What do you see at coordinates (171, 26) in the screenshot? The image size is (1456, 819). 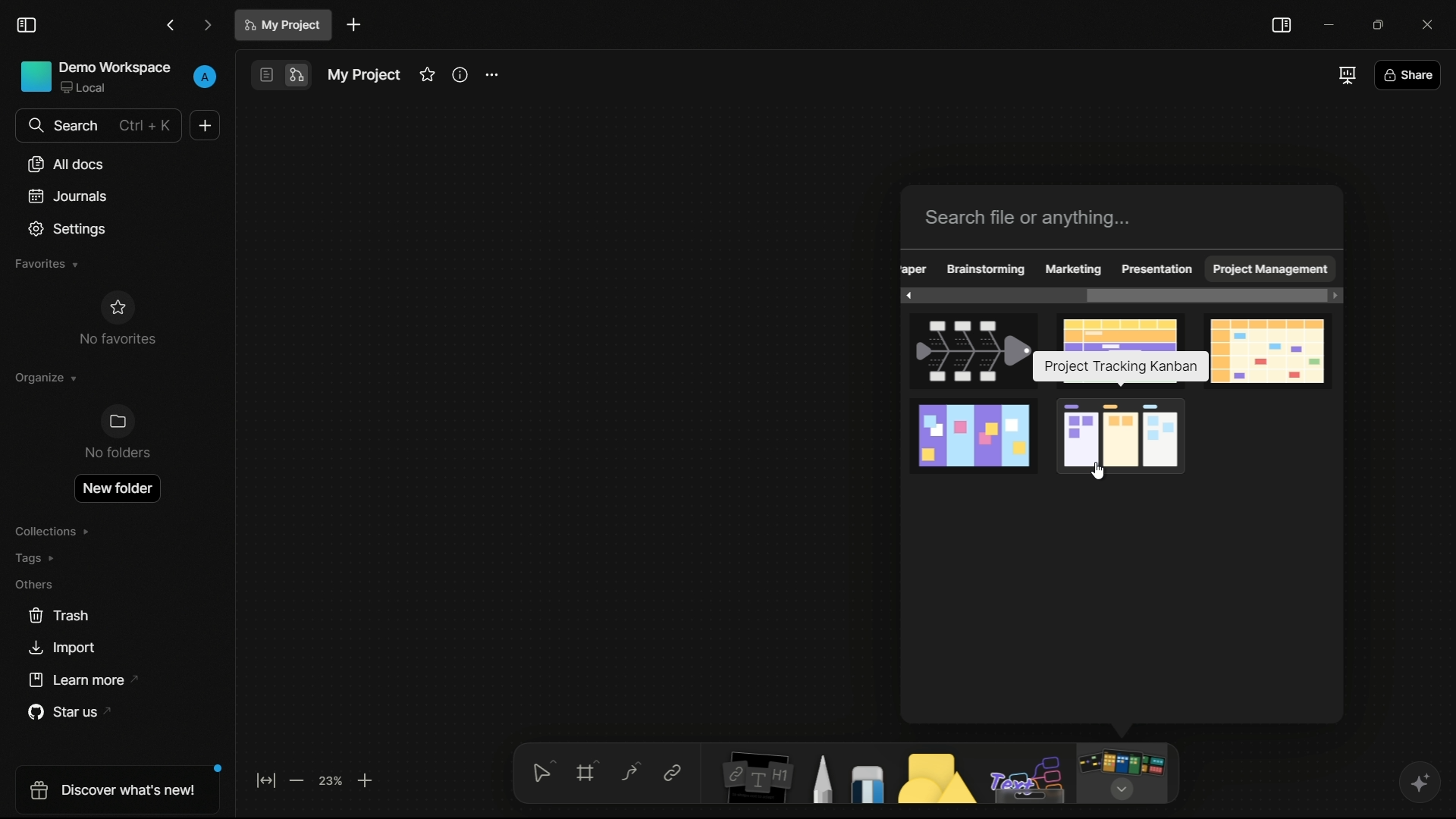 I see `back` at bounding box center [171, 26].